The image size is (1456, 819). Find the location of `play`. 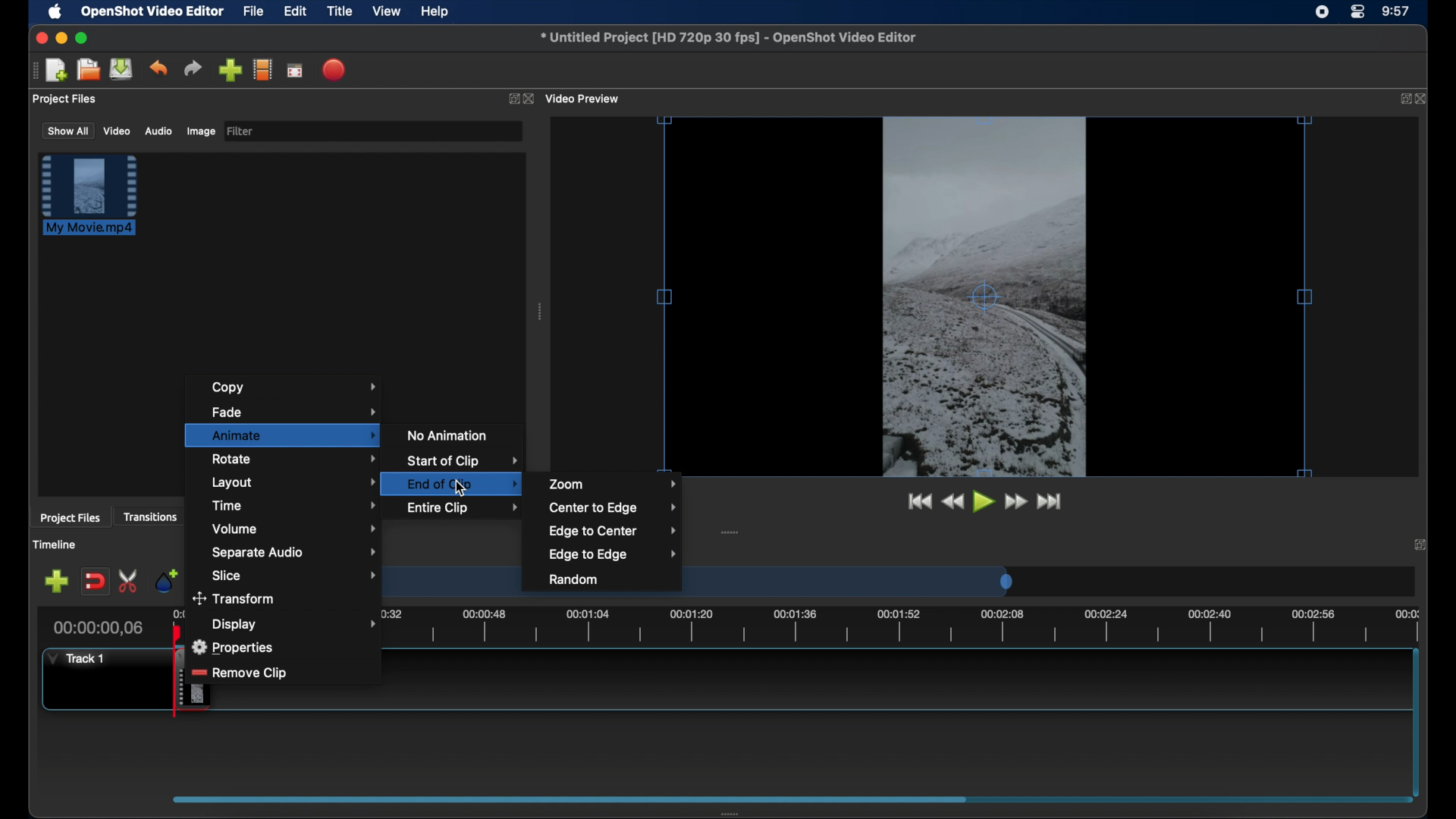

play is located at coordinates (984, 502).